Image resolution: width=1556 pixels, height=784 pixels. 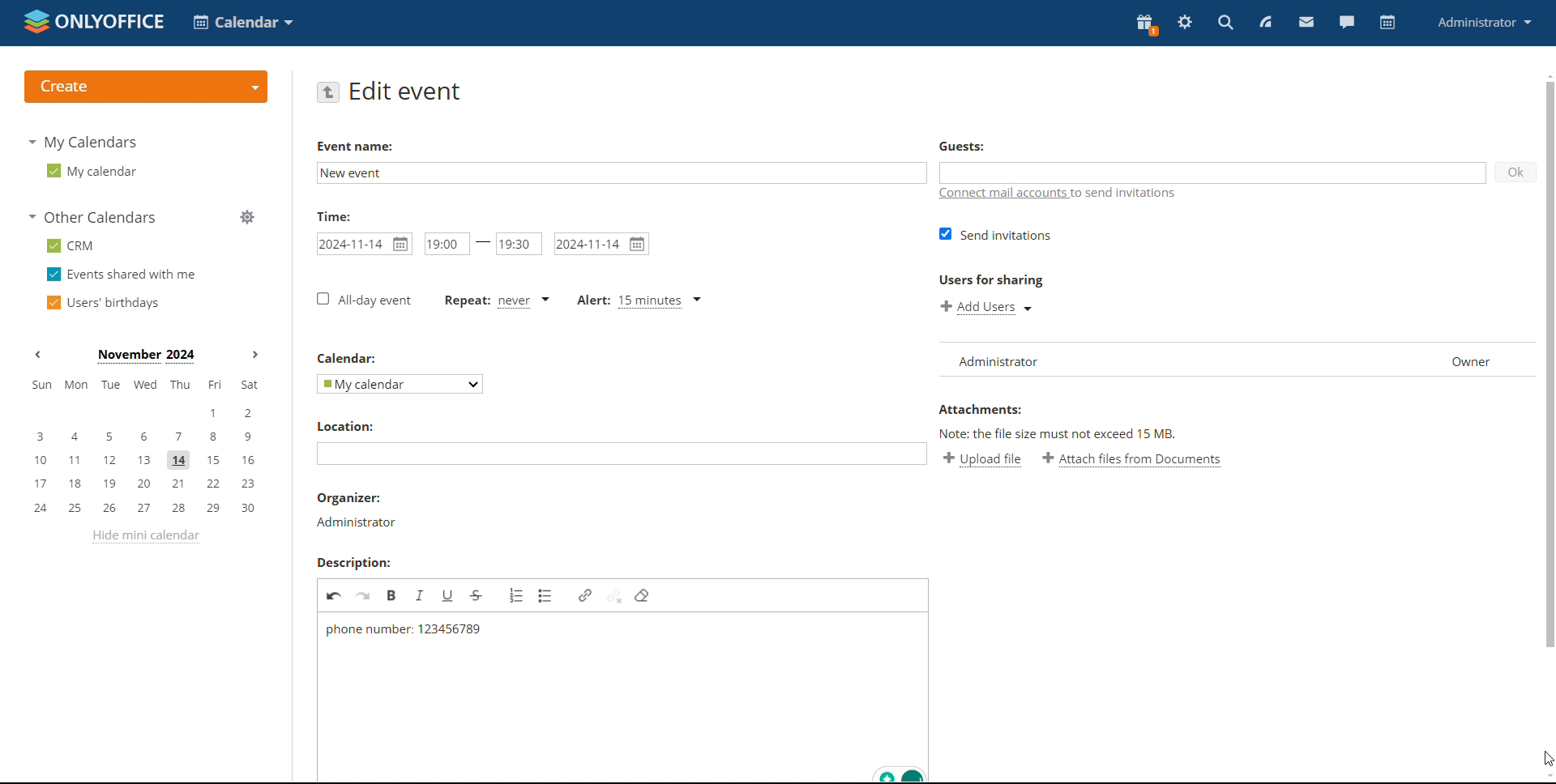 I want to click on users for sharing, so click(x=989, y=279).